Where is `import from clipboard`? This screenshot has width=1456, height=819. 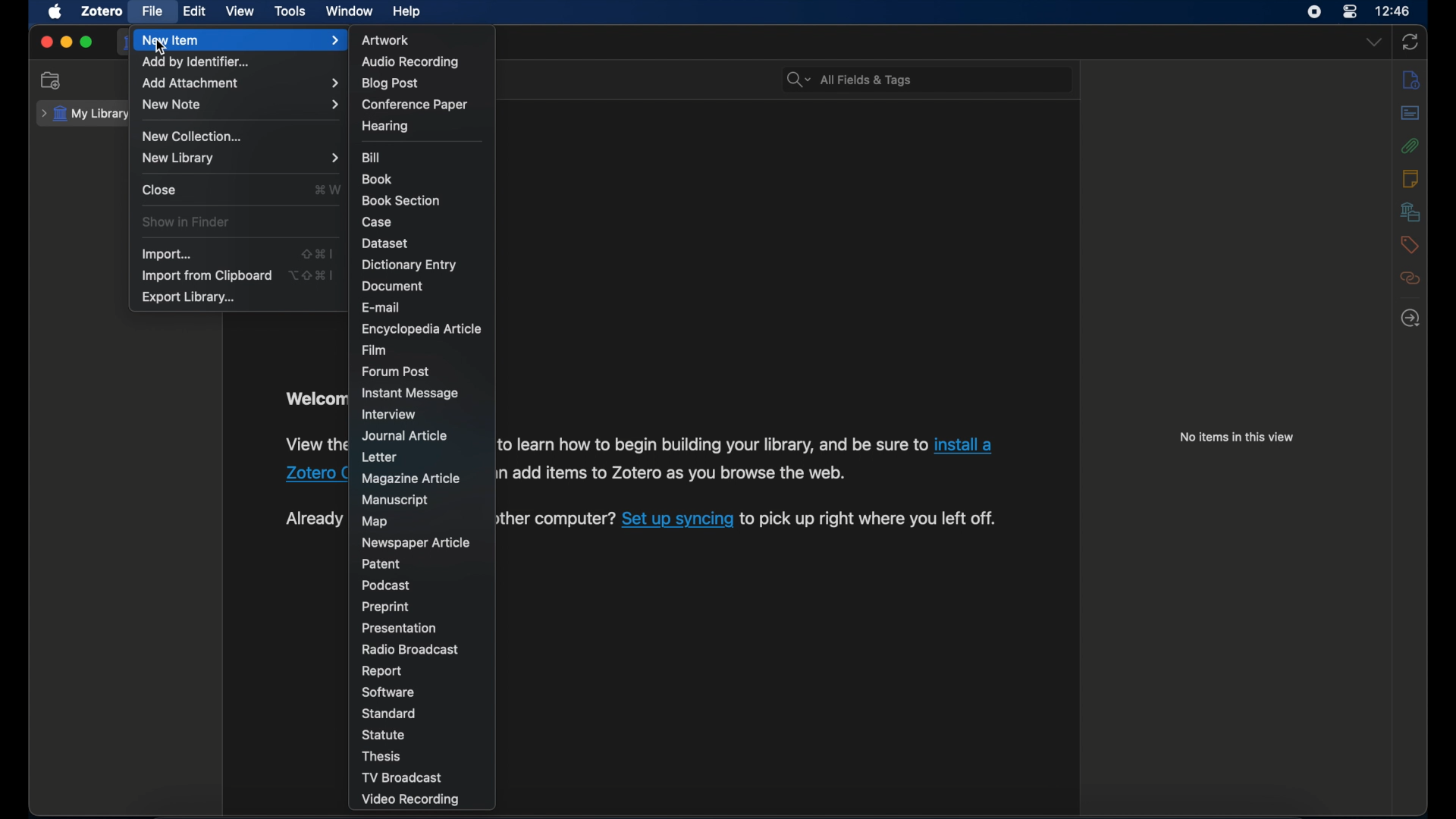 import from clipboard is located at coordinates (206, 276).